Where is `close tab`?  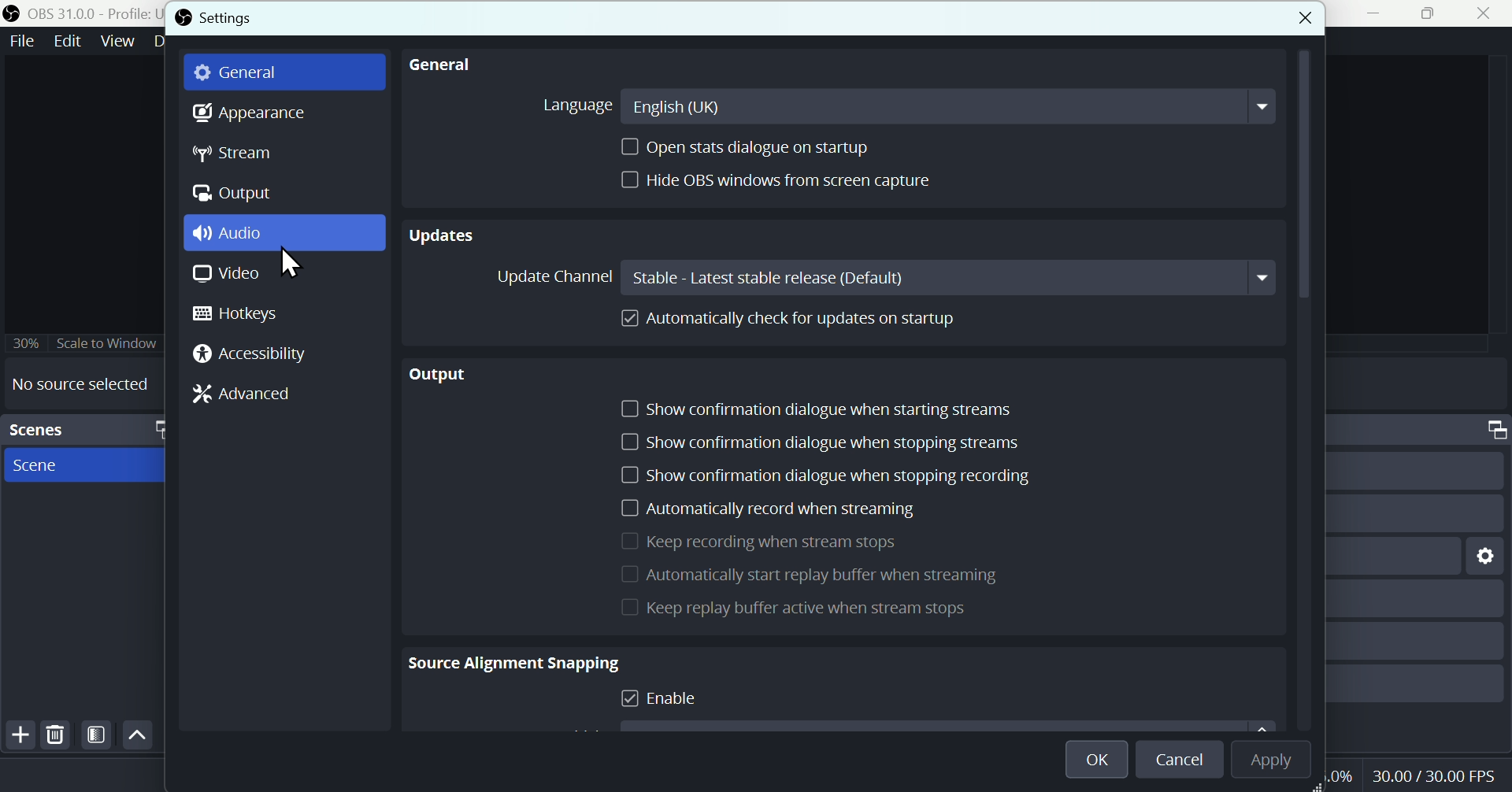
close tab is located at coordinates (1302, 20).